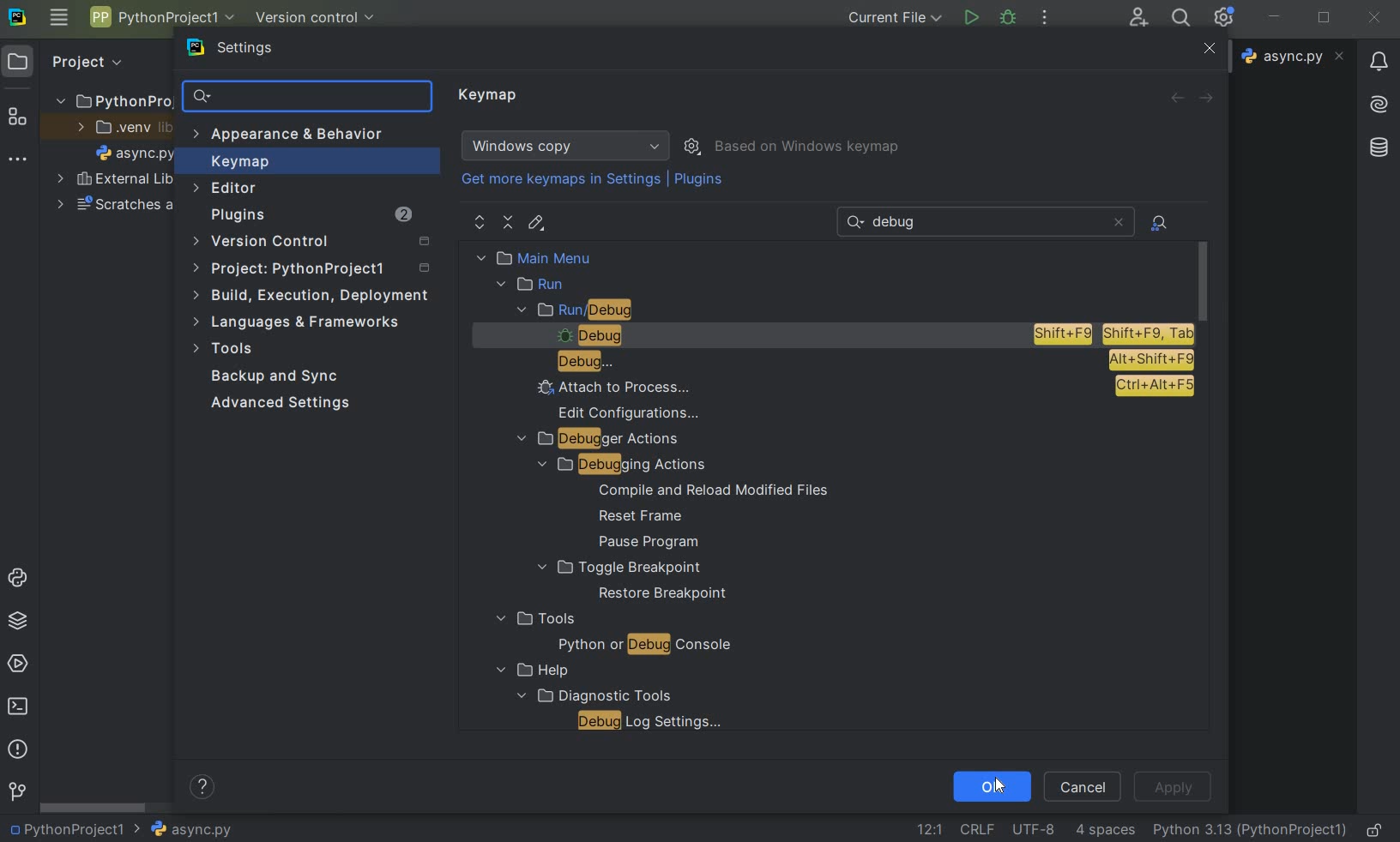 This screenshot has width=1400, height=842. Describe the element at coordinates (21, 579) in the screenshot. I see `python console` at that location.